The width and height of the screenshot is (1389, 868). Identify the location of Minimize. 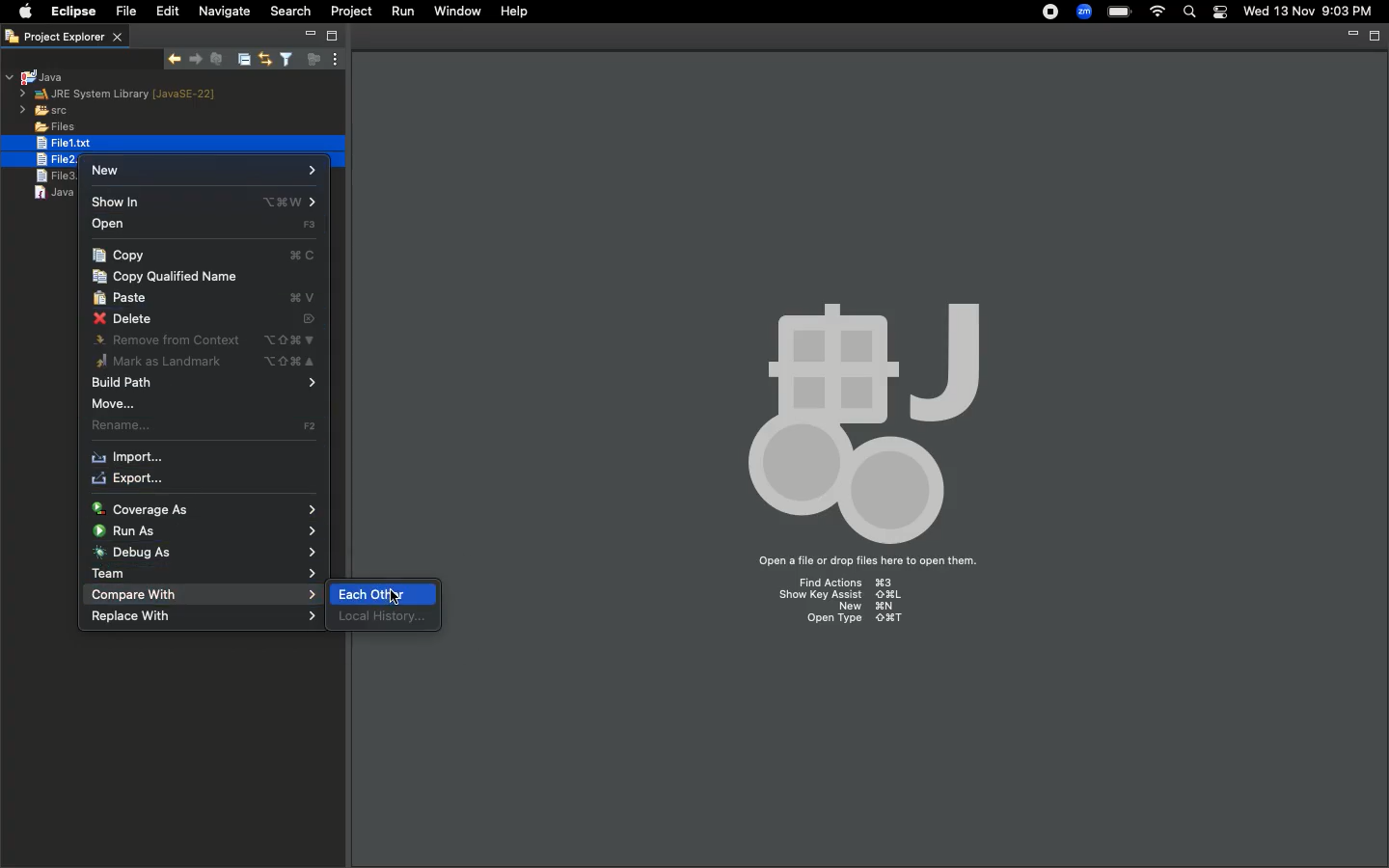
(1348, 36).